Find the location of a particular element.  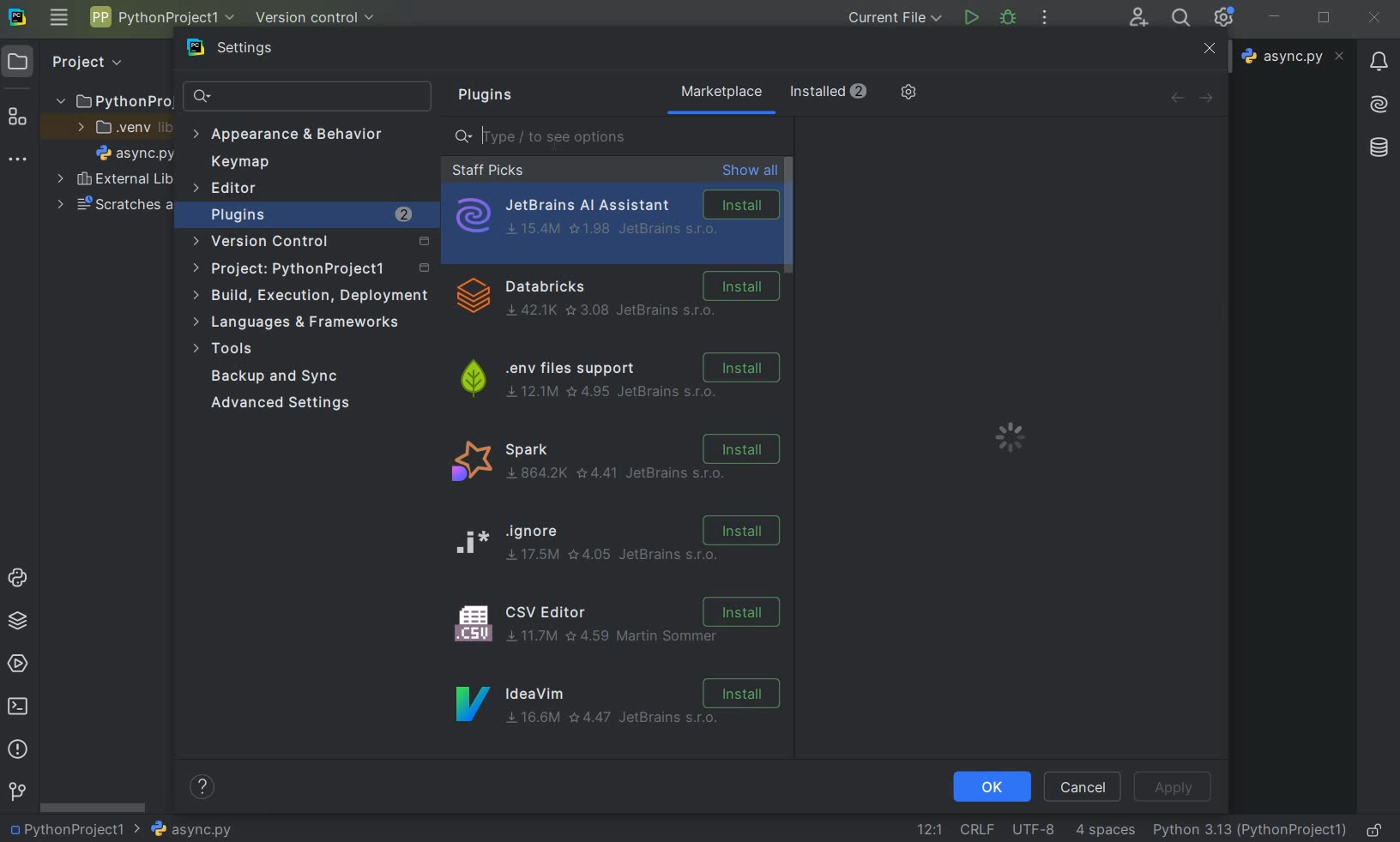

more actions is located at coordinates (1043, 19).